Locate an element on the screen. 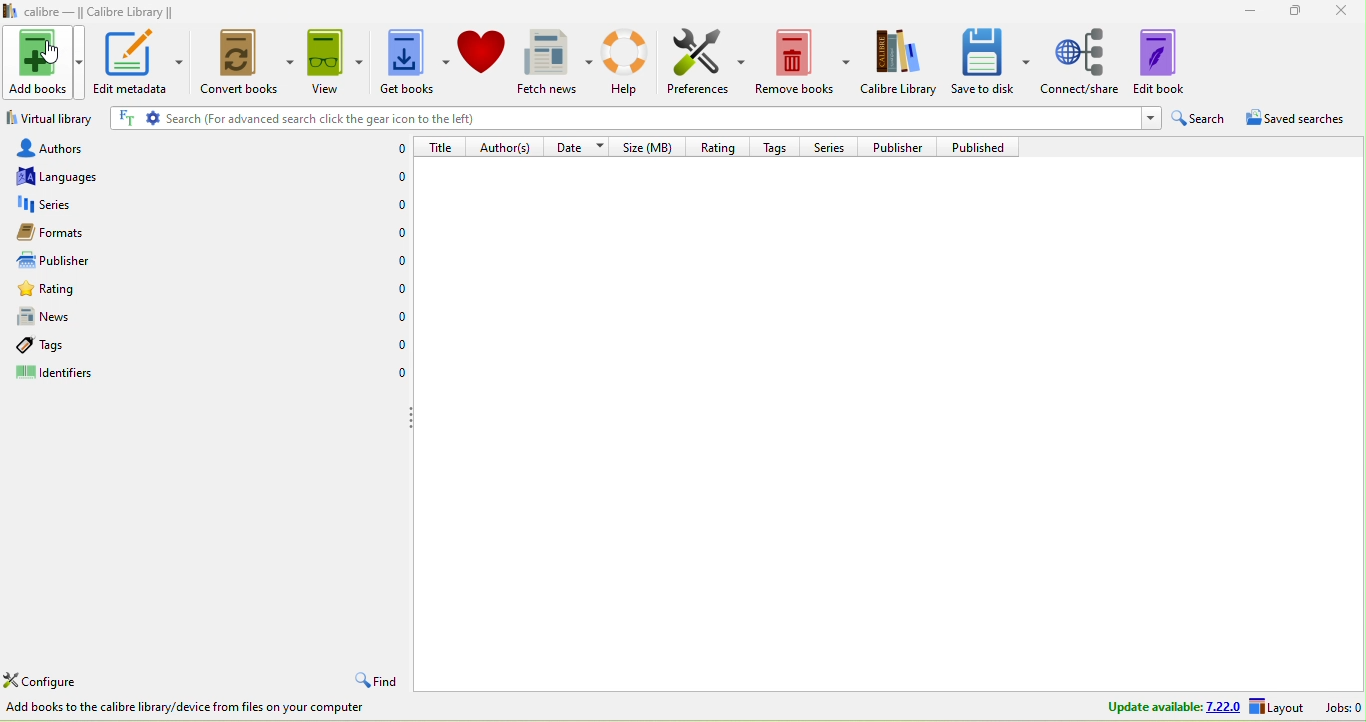 Image resolution: width=1366 pixels, height=722 pixels. title is located at coordinates (447, 147).